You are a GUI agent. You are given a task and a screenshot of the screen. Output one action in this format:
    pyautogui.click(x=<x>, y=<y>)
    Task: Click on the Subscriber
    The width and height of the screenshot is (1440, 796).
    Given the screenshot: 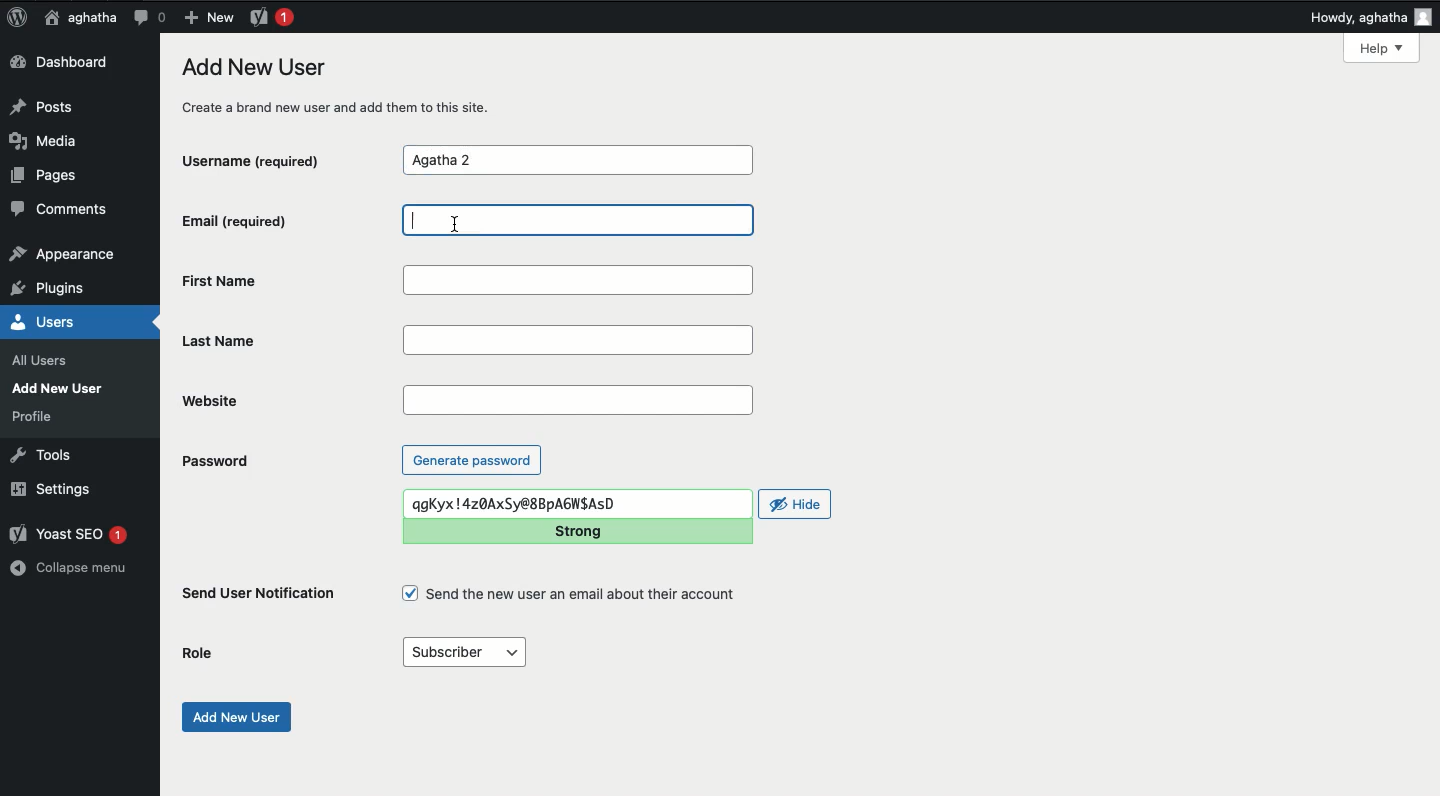 What is the action you would take?
    pyautogui.click(x=463, y=653)
    